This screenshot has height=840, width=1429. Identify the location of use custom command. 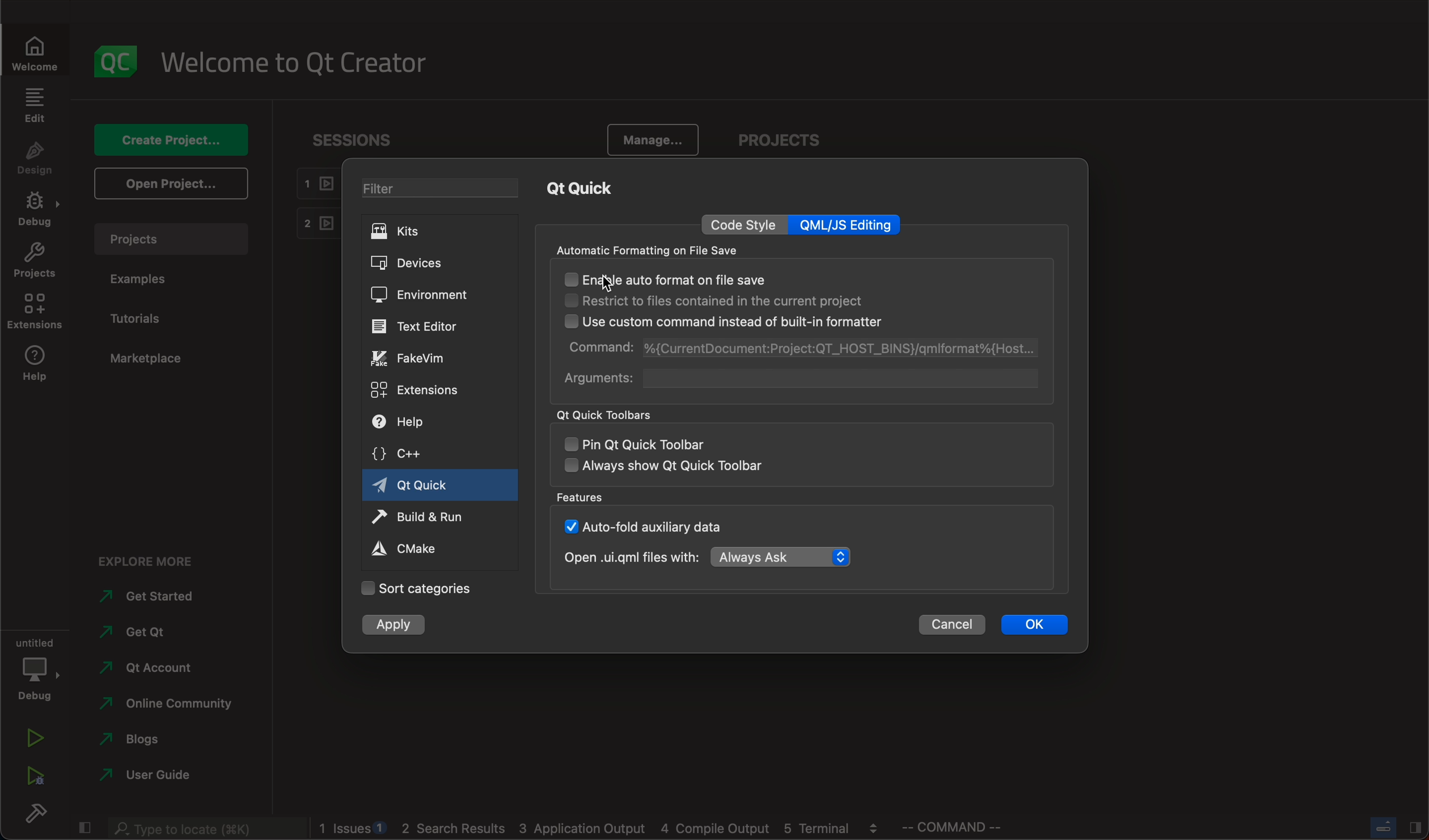
(720, 323).